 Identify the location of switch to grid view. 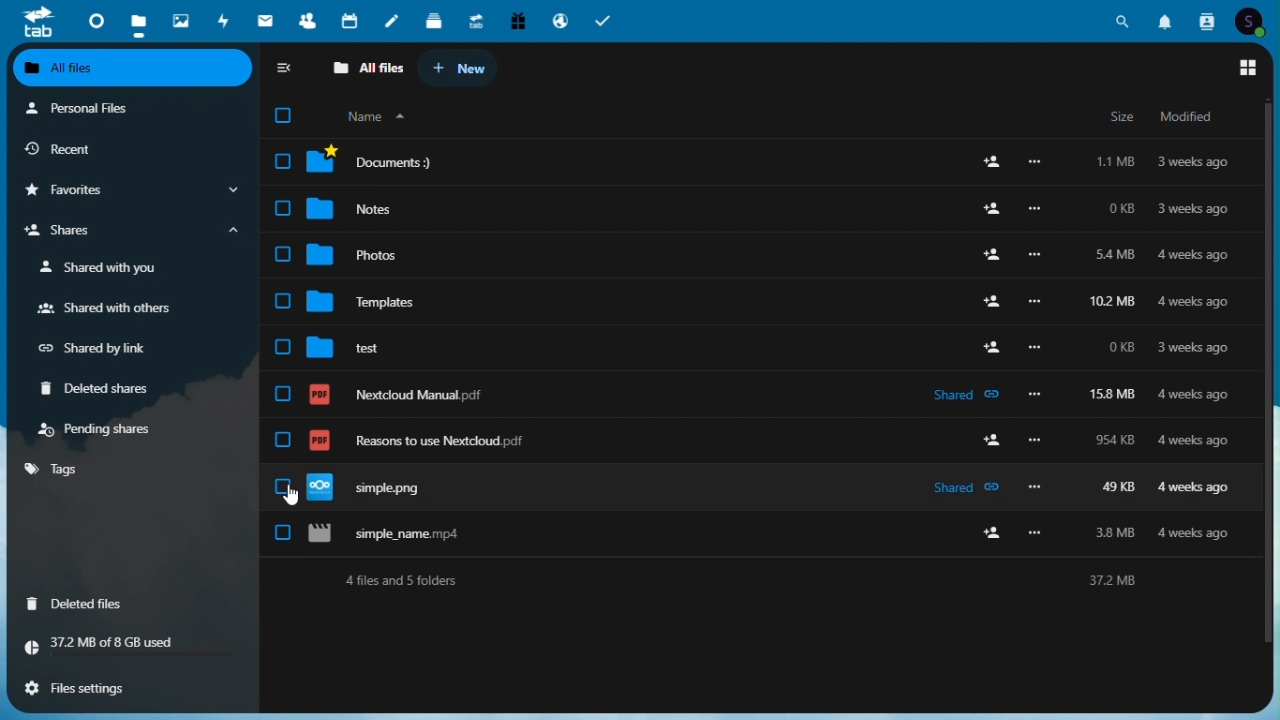
(1249, 68).